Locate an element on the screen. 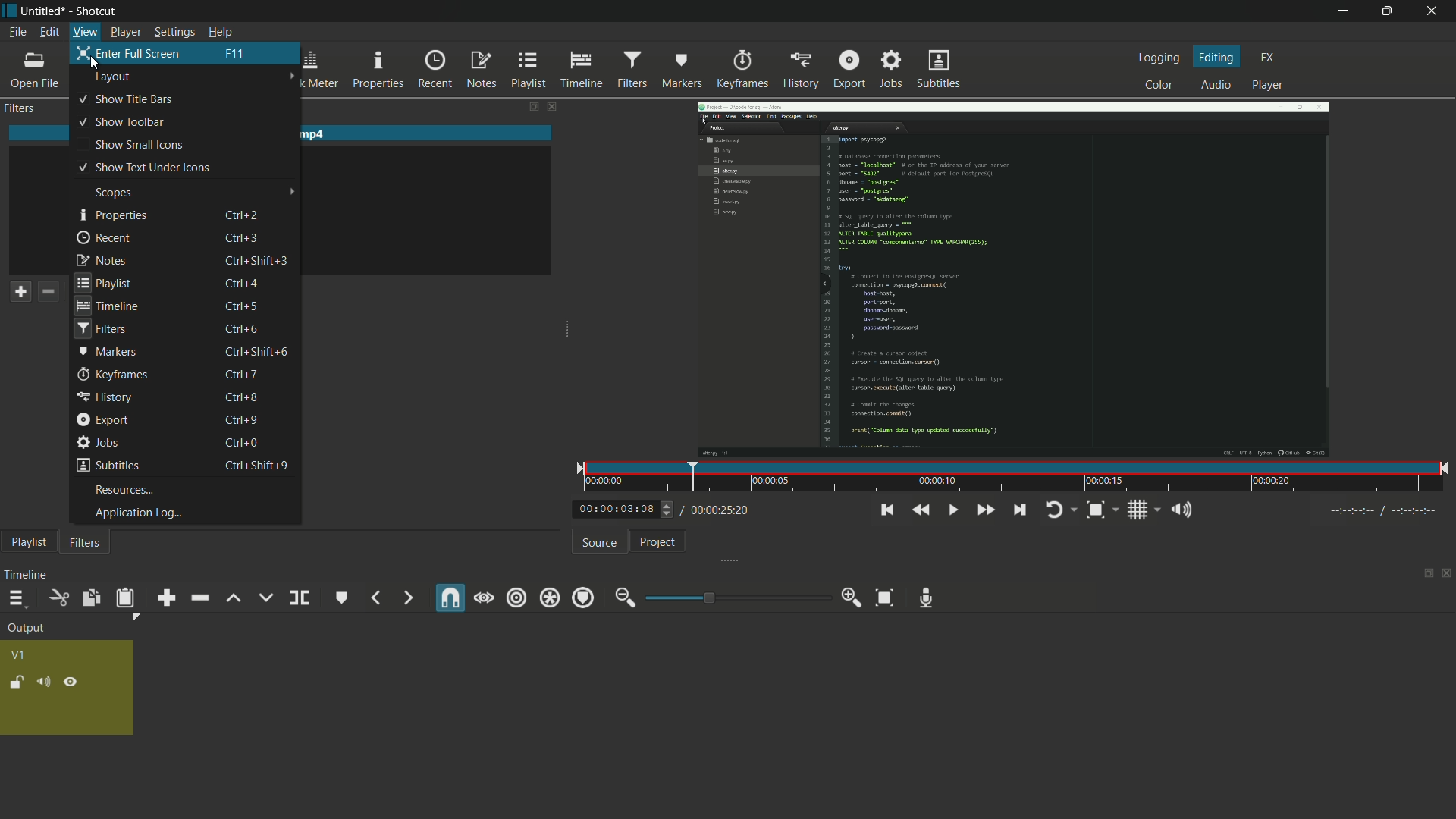  keyframes is located at coordinates (112, 375).